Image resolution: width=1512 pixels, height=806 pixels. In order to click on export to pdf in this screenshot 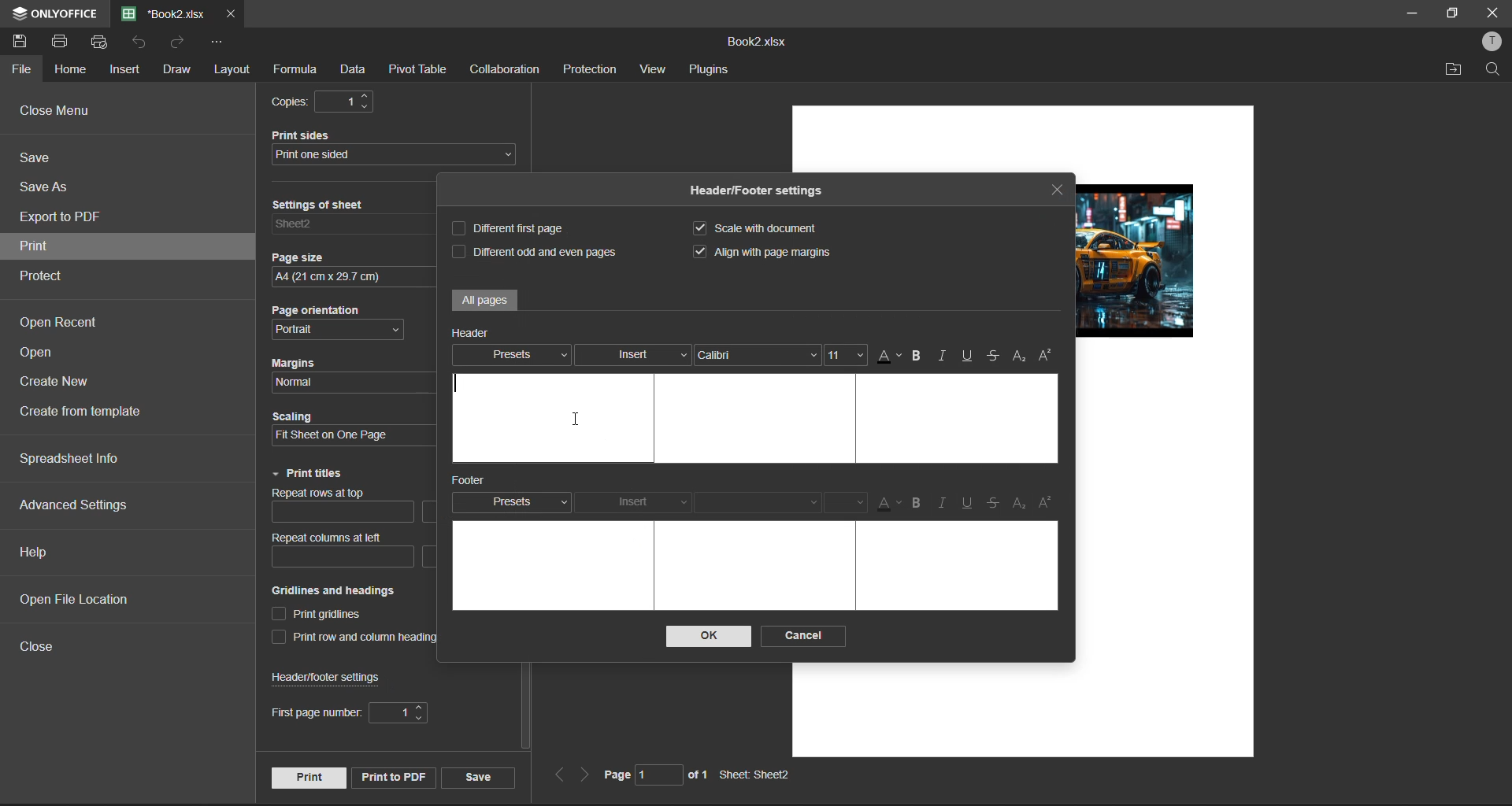, I will do `click(62, 220)`.